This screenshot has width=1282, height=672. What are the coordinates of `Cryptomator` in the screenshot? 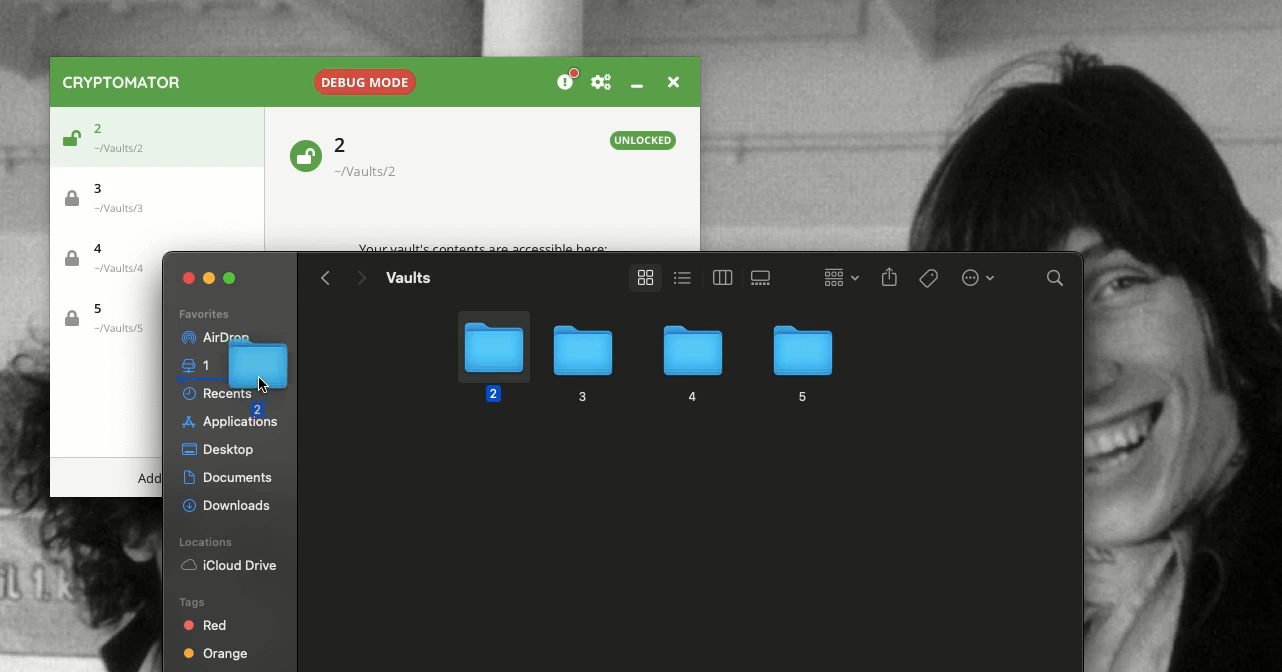 It's located at (123, 82).